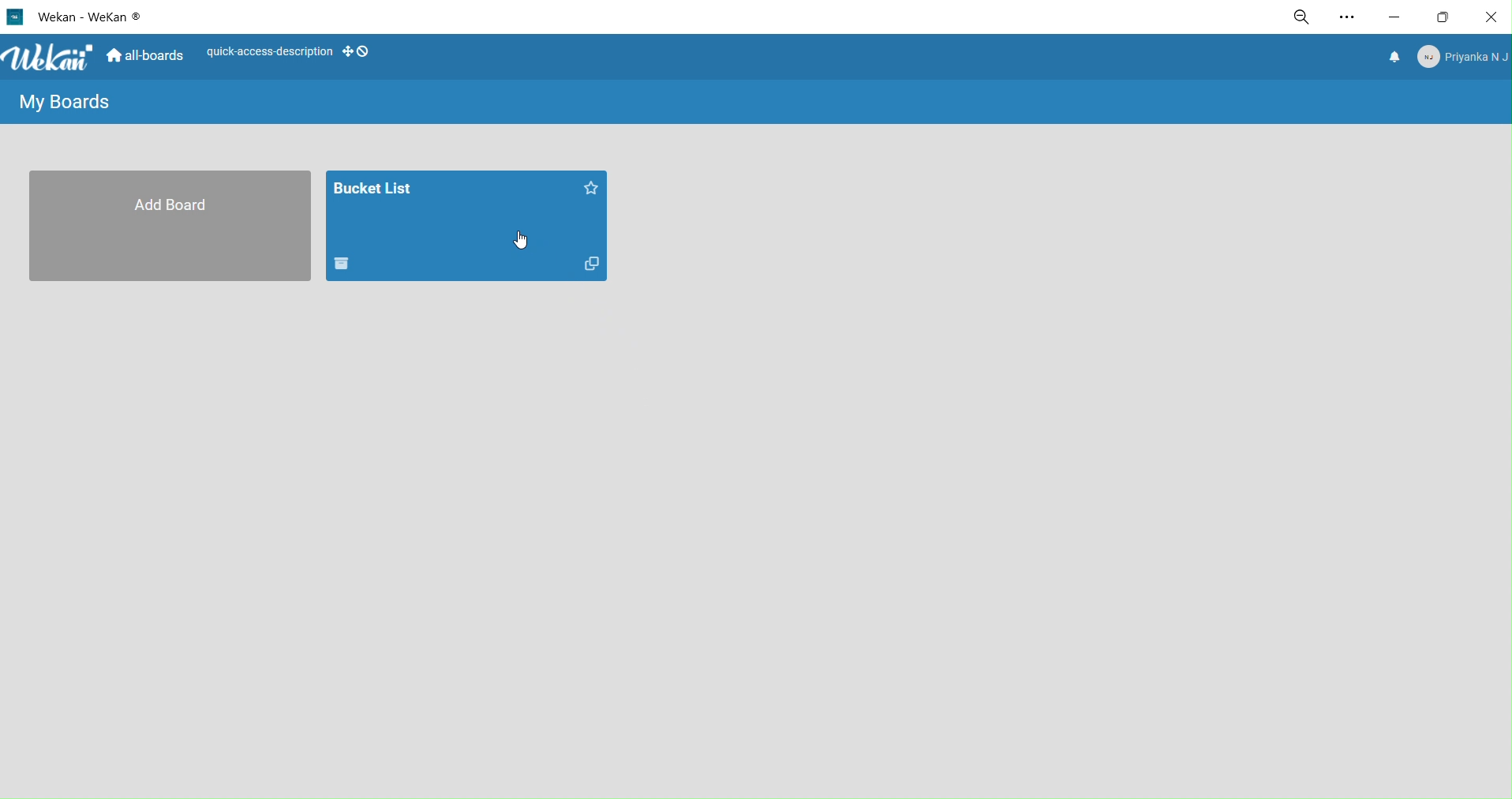 The image size is (1512, 799). I want to click on close, so click(1495, 18).